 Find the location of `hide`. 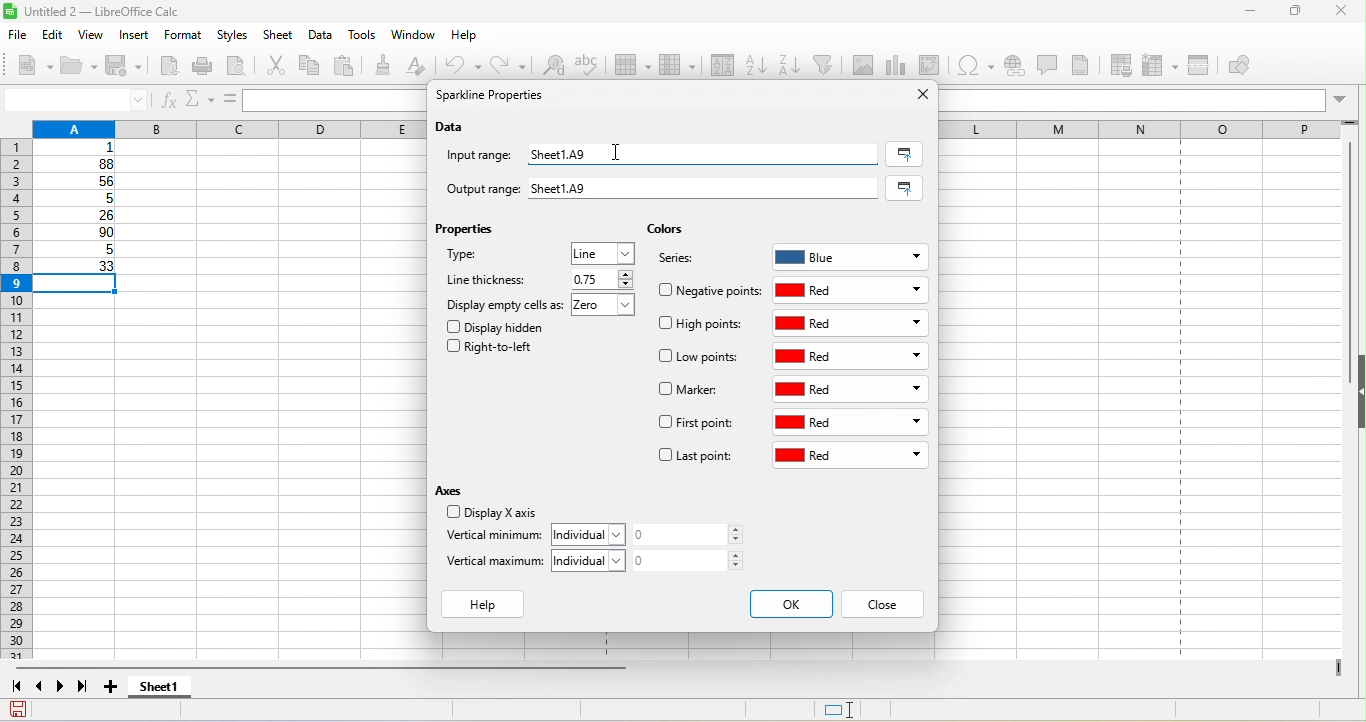

hide is located at coordinates (1357, 393).